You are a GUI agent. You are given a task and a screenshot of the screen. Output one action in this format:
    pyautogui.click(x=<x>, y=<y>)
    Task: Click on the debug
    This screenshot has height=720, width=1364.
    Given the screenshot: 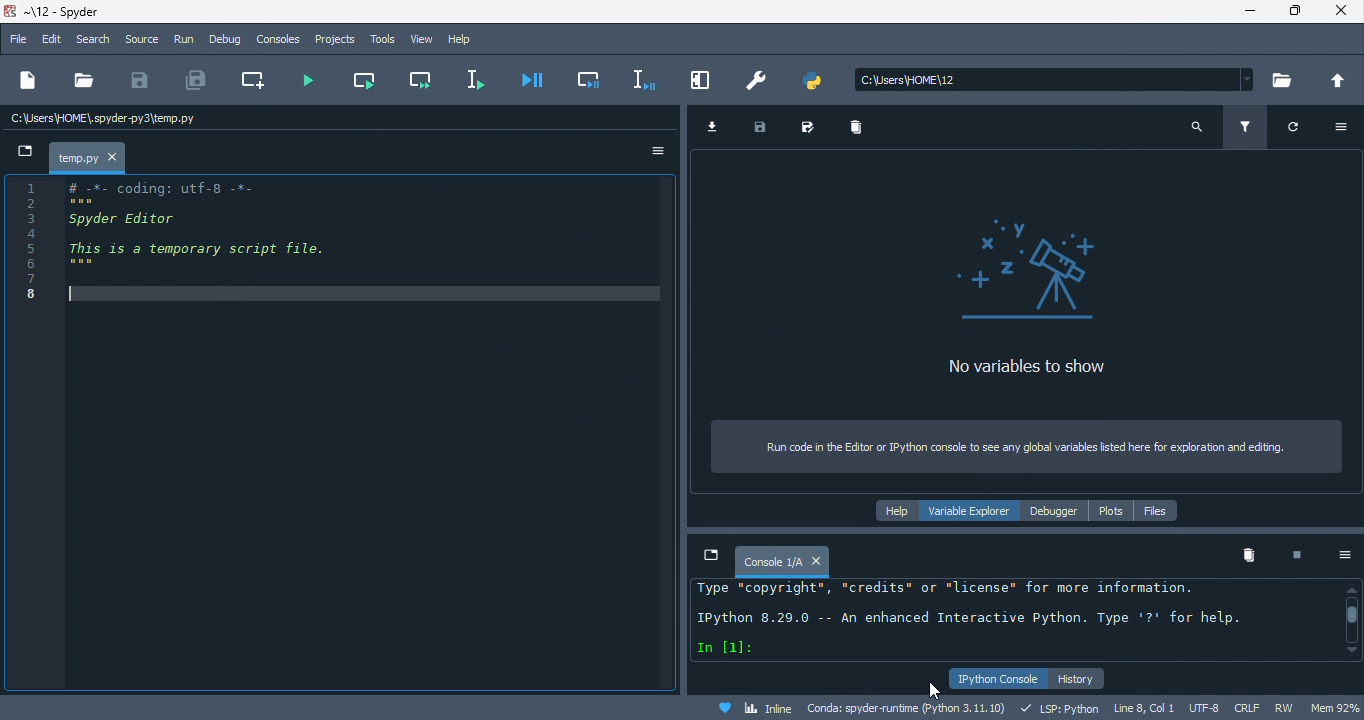 What is the action you would take?
    pyautogui.click(x=228, y=38)
    